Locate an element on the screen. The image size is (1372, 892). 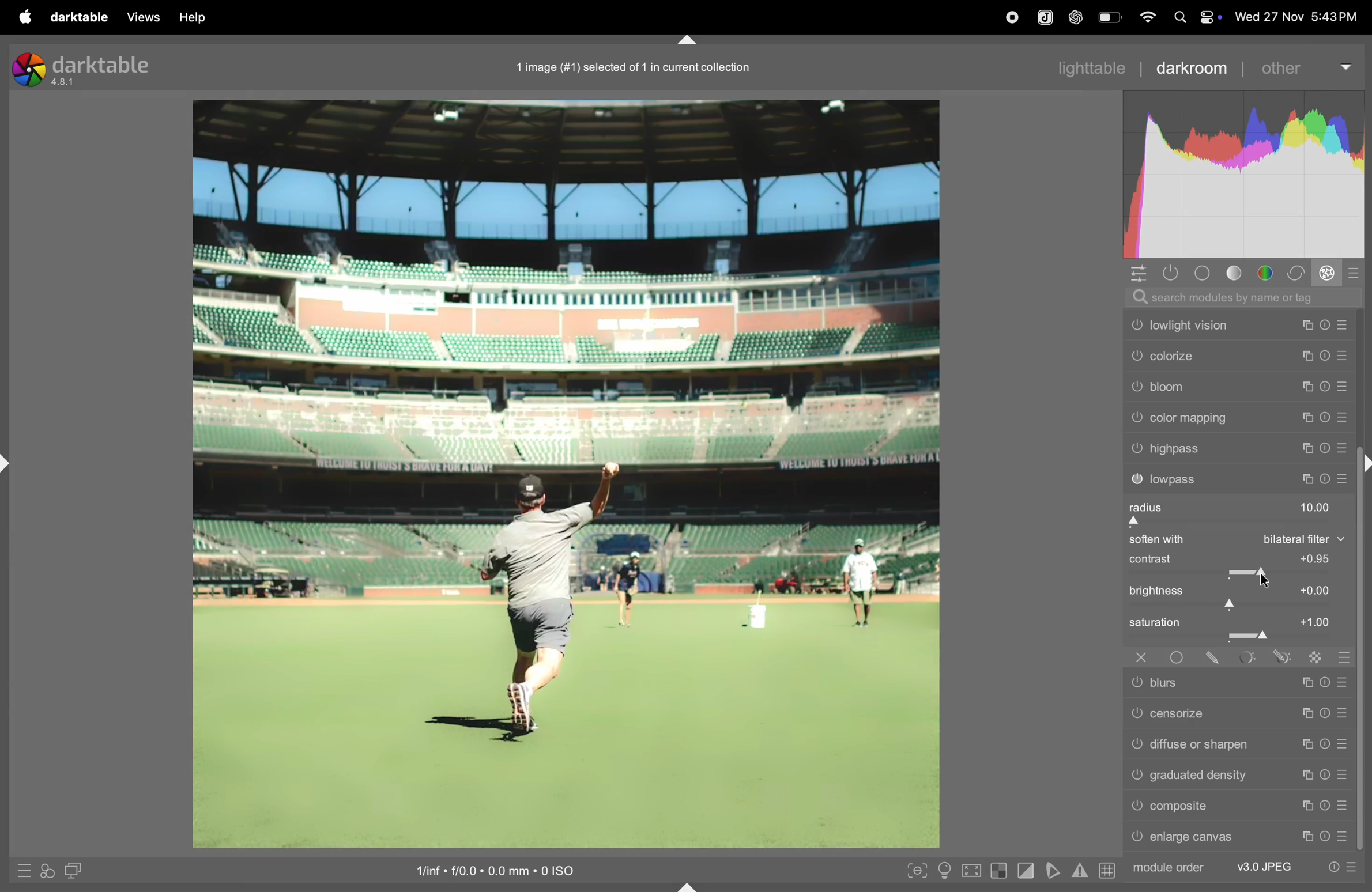
toggle iso is located at coordinates (947, 871).